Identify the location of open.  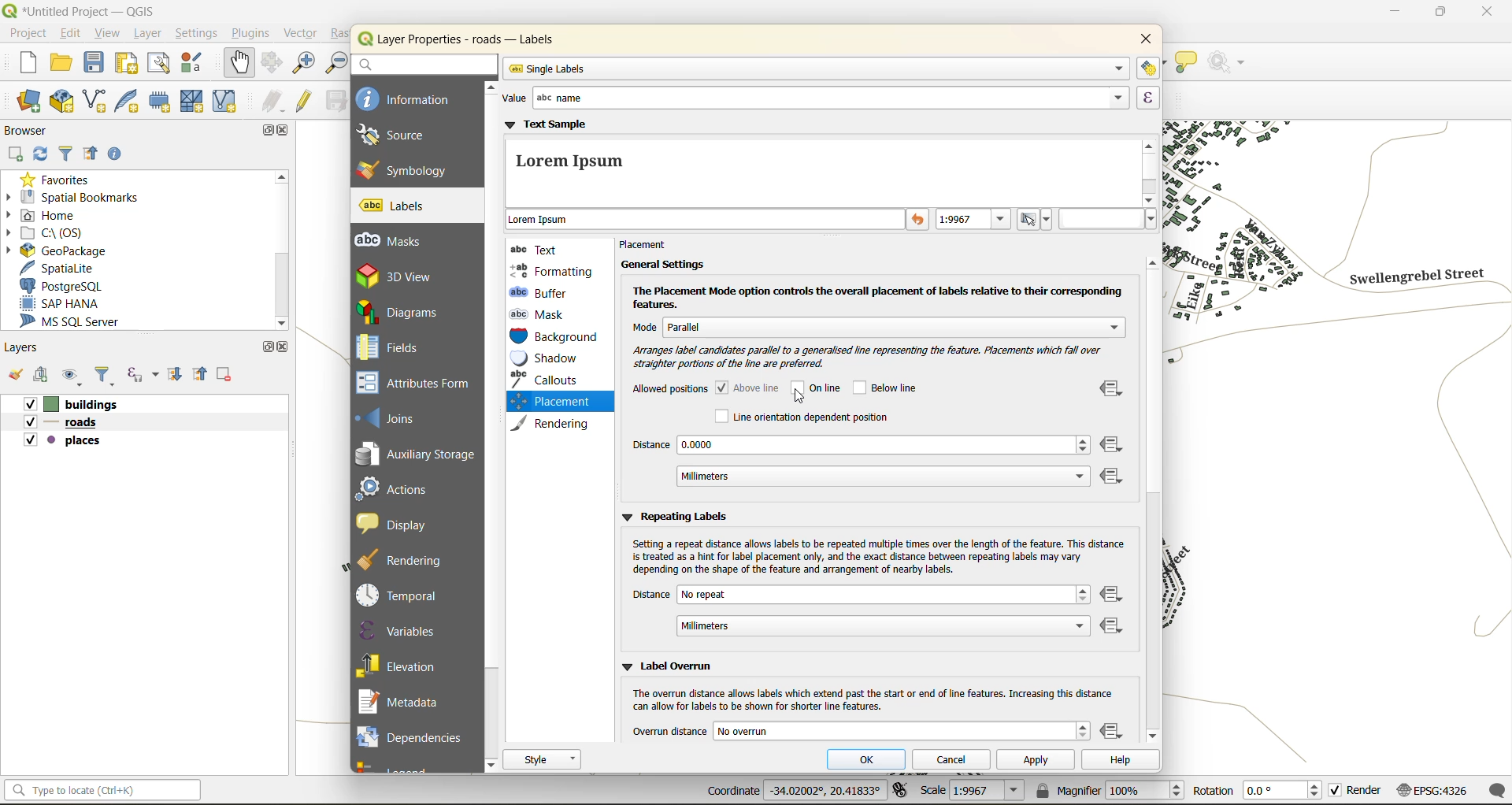
(64, 63).